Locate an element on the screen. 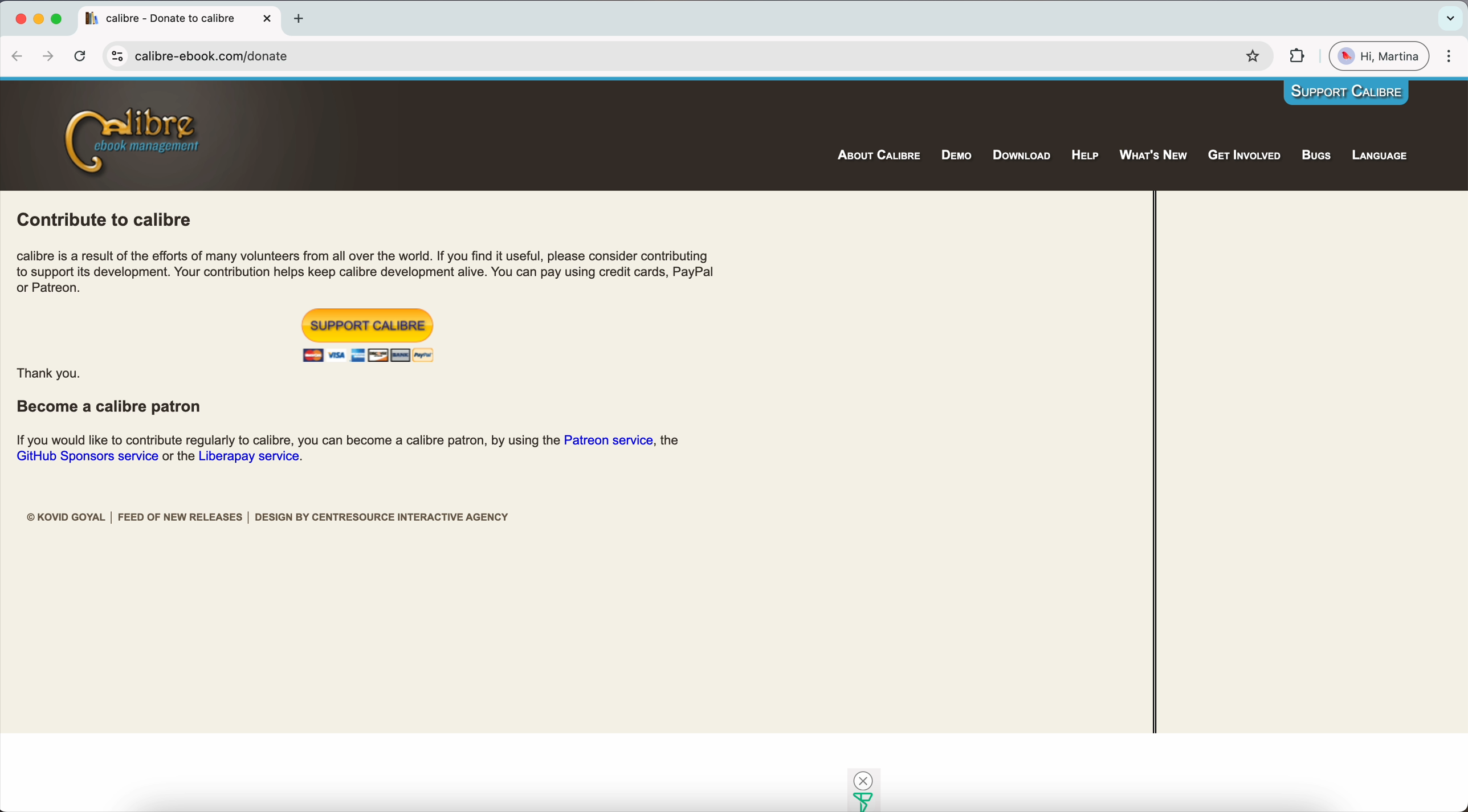  tab is located at coordinates (177, 19).